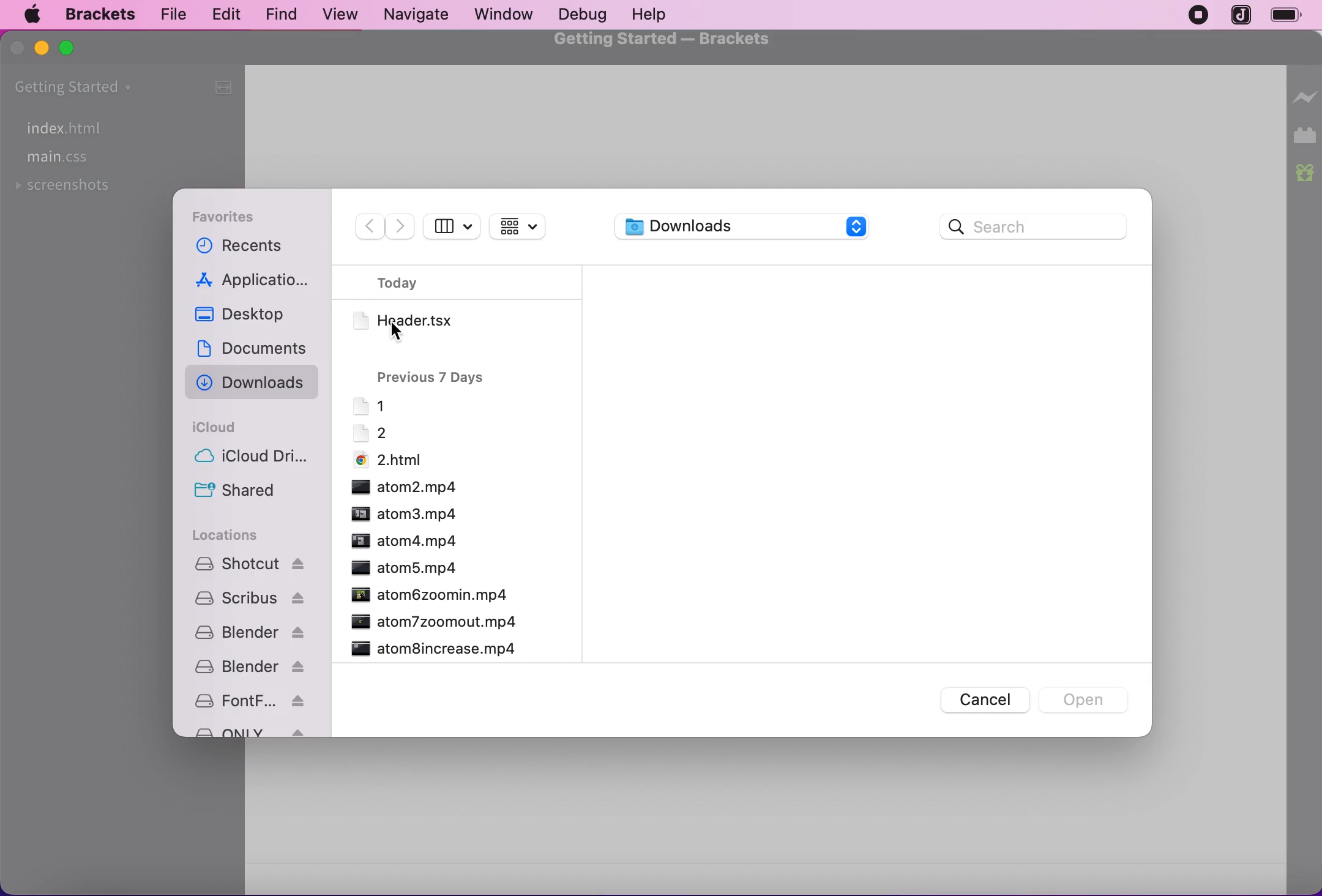 Image resolution: width=1322 pixels, height=896 pixels. What do you see at coordinates (1305, 92) in the screenshot?
I see `live preview` at bounding box center [1305, 92].